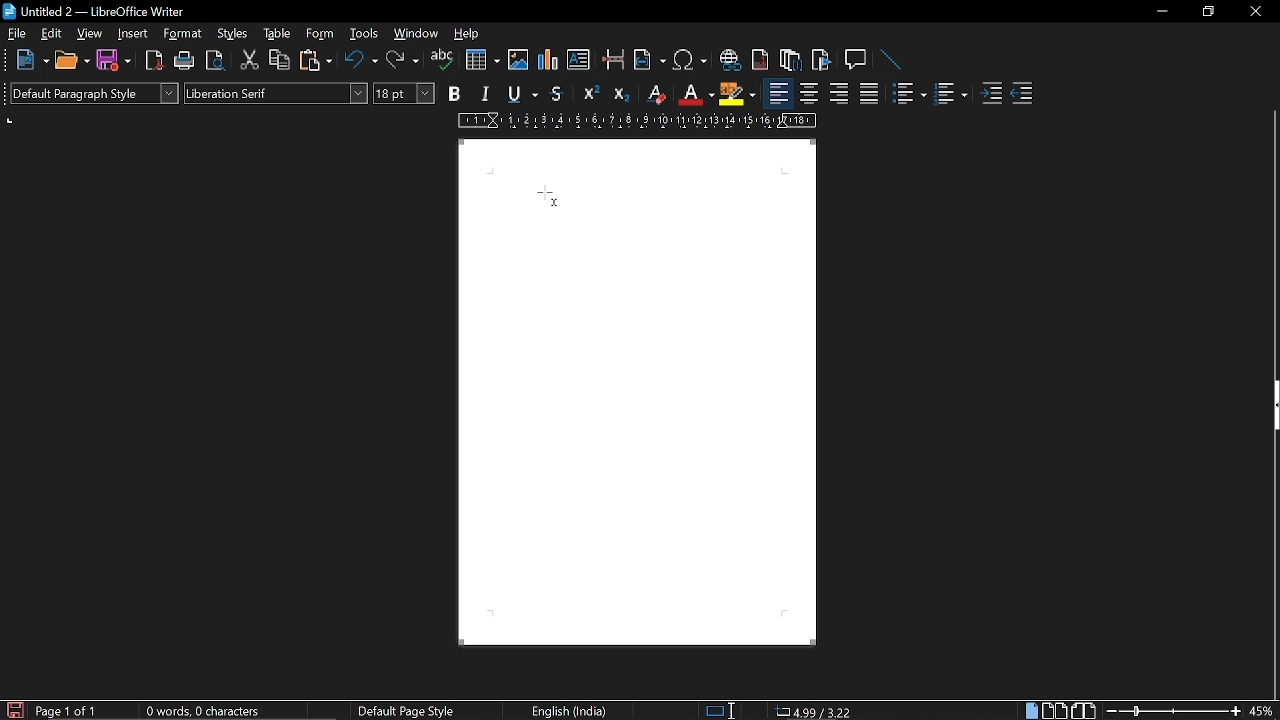 Image resolution: width=1280 pixels, height=720 pixels. I want to click on book view, so click(1084, 710).